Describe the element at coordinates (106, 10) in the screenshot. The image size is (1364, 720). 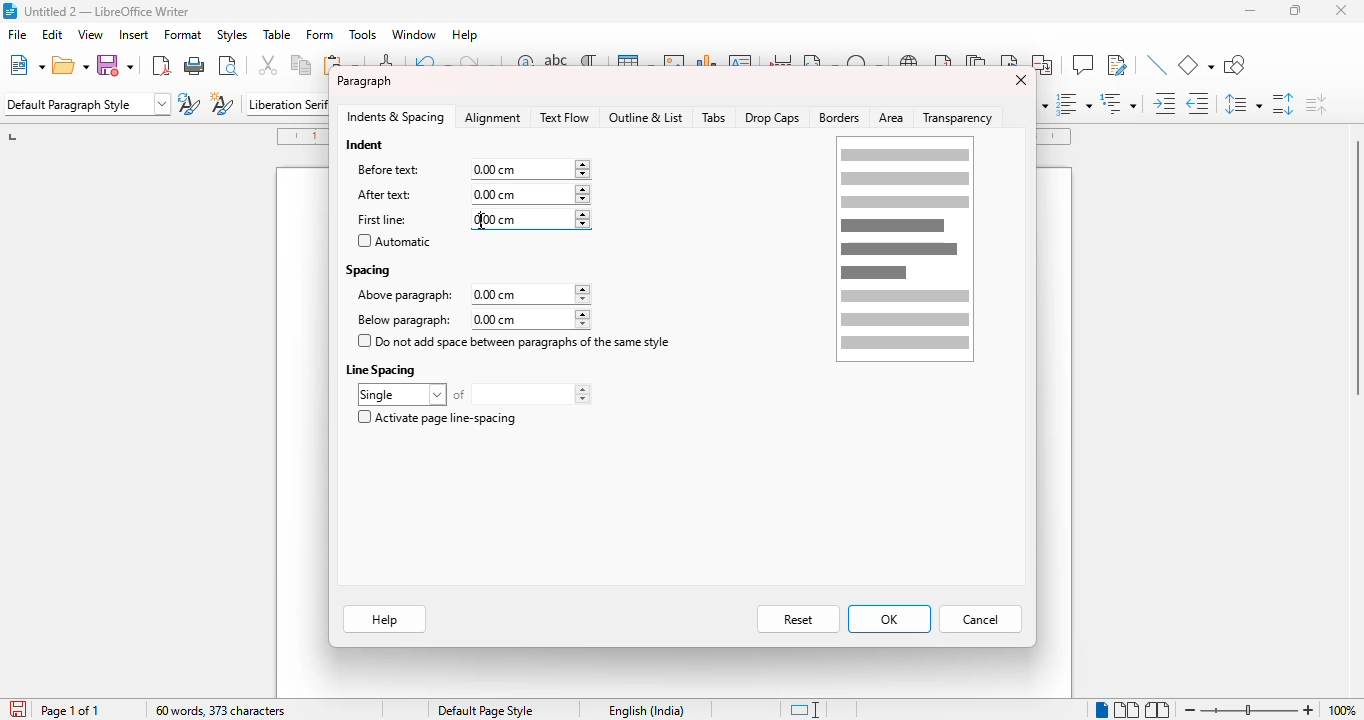
I see `title` at that location.